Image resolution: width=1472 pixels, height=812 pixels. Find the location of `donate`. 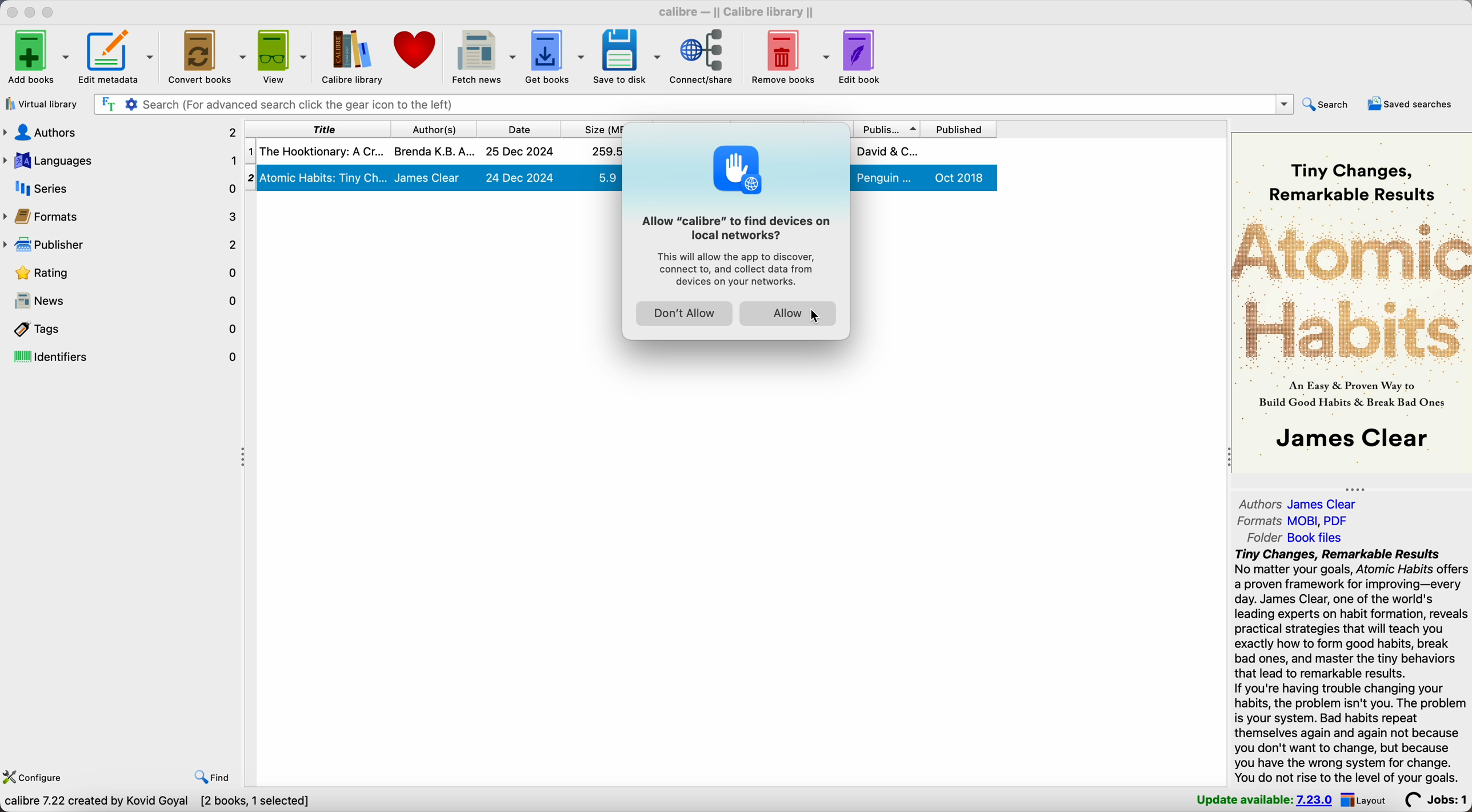

donate is located at coordinates (416, 49).